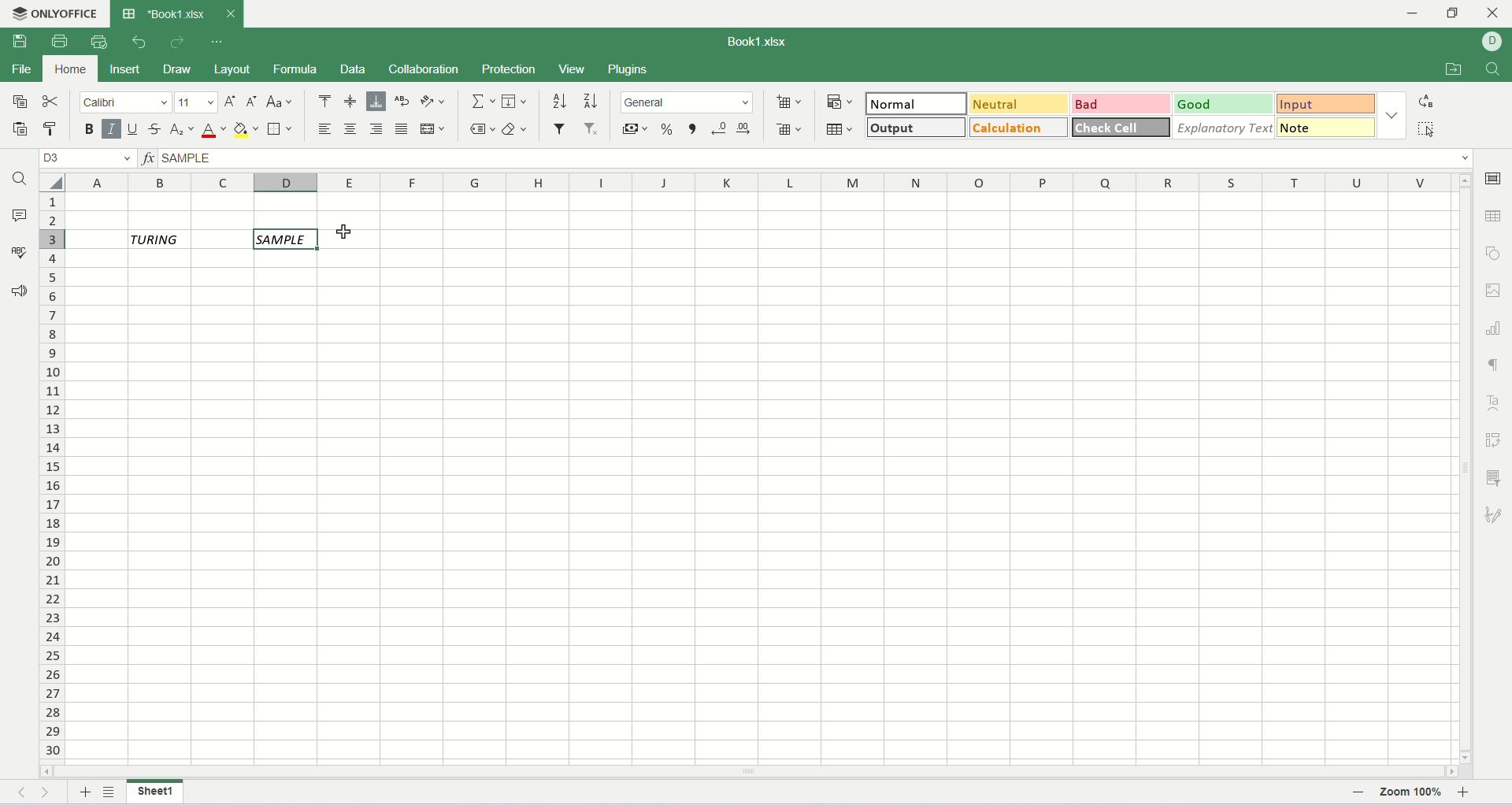 The height and width of the screenshot is (805, 1512). Describe the element at coordinates (515, 129) in the screenshot. I see `clear` at that location.